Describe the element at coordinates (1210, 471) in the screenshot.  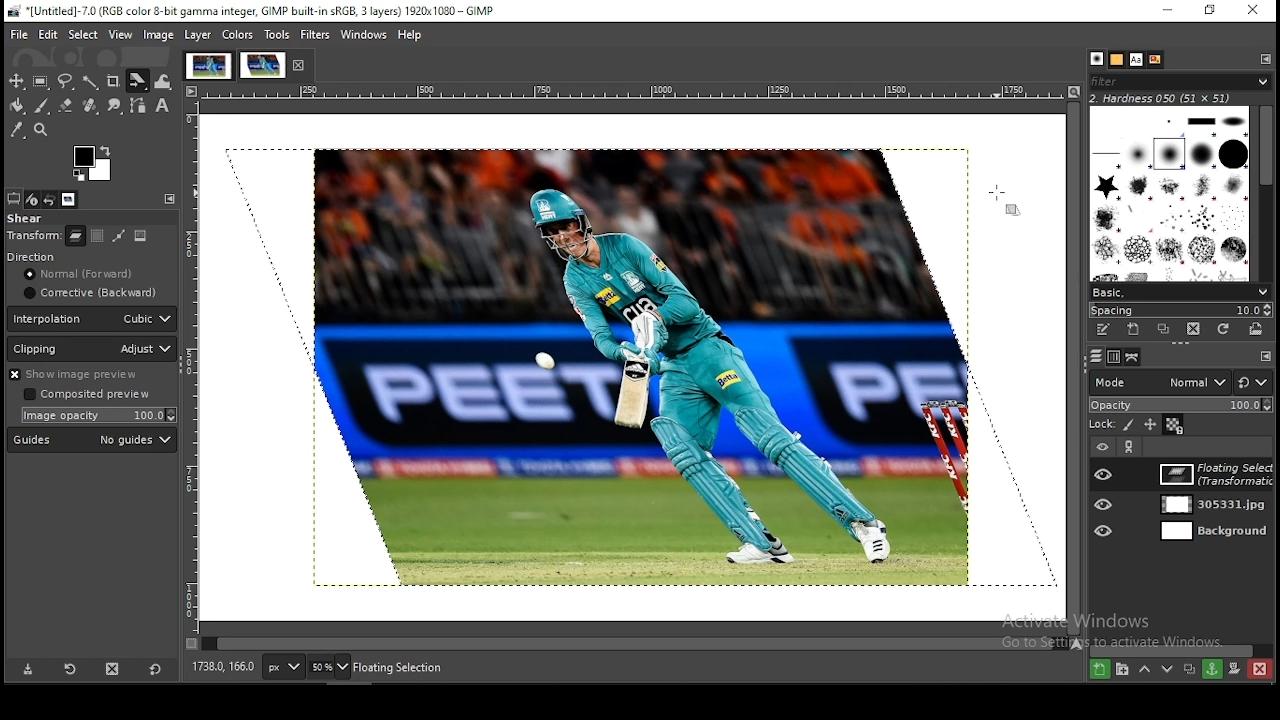
I see `layer` at that location.